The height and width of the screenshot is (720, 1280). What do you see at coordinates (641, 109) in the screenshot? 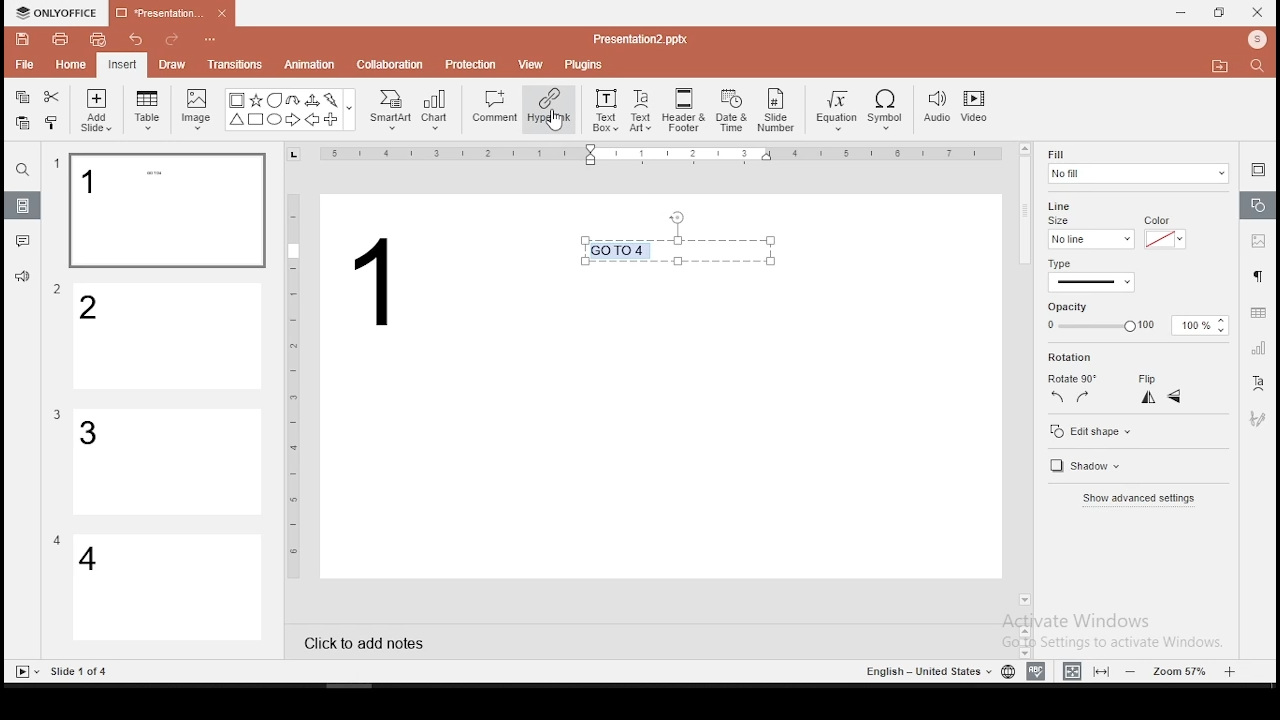
I see `text art` at bounding box center [641, 109].